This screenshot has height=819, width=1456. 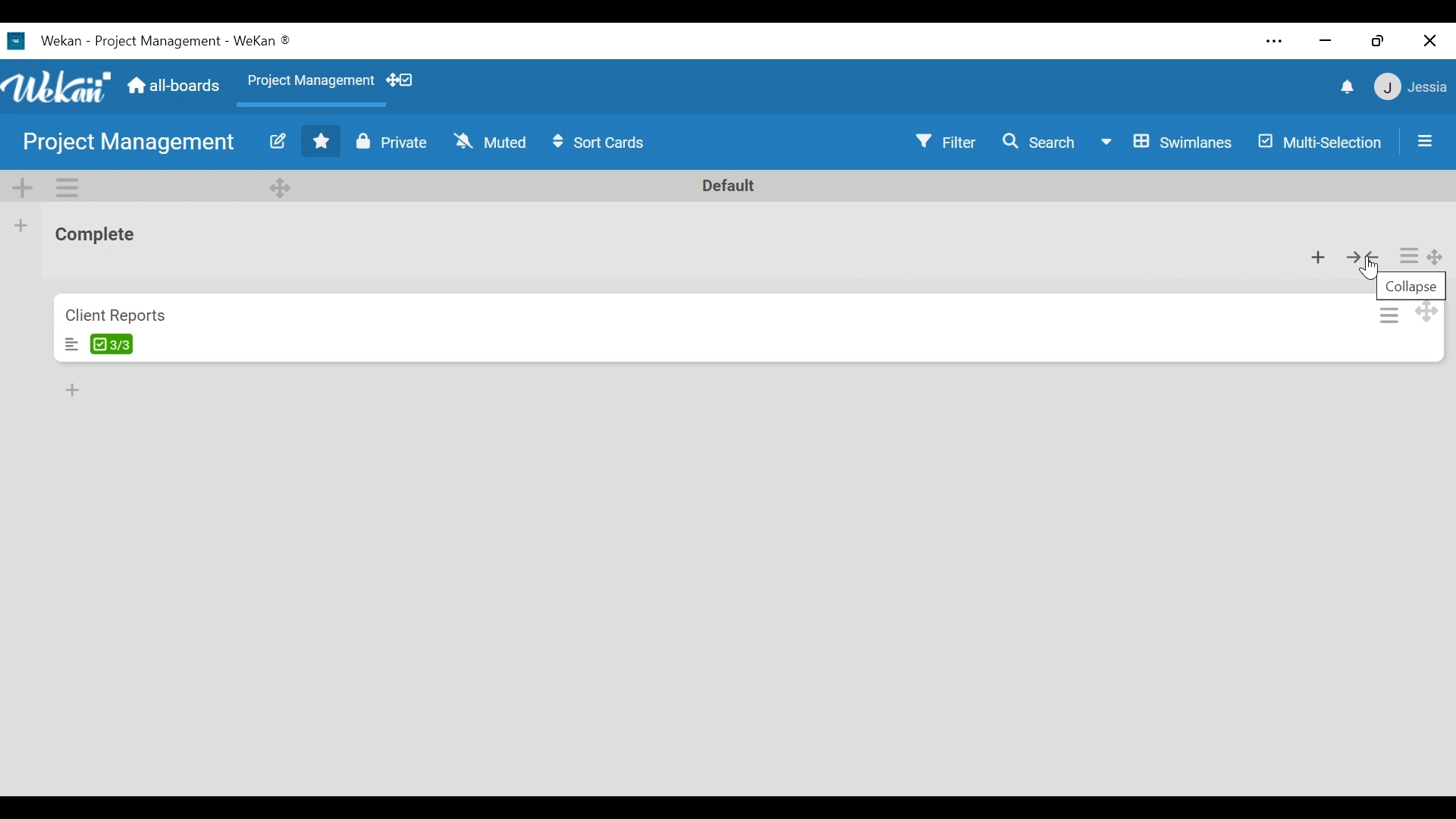 I want to click on Collapse, so click(x=1366, y=255).